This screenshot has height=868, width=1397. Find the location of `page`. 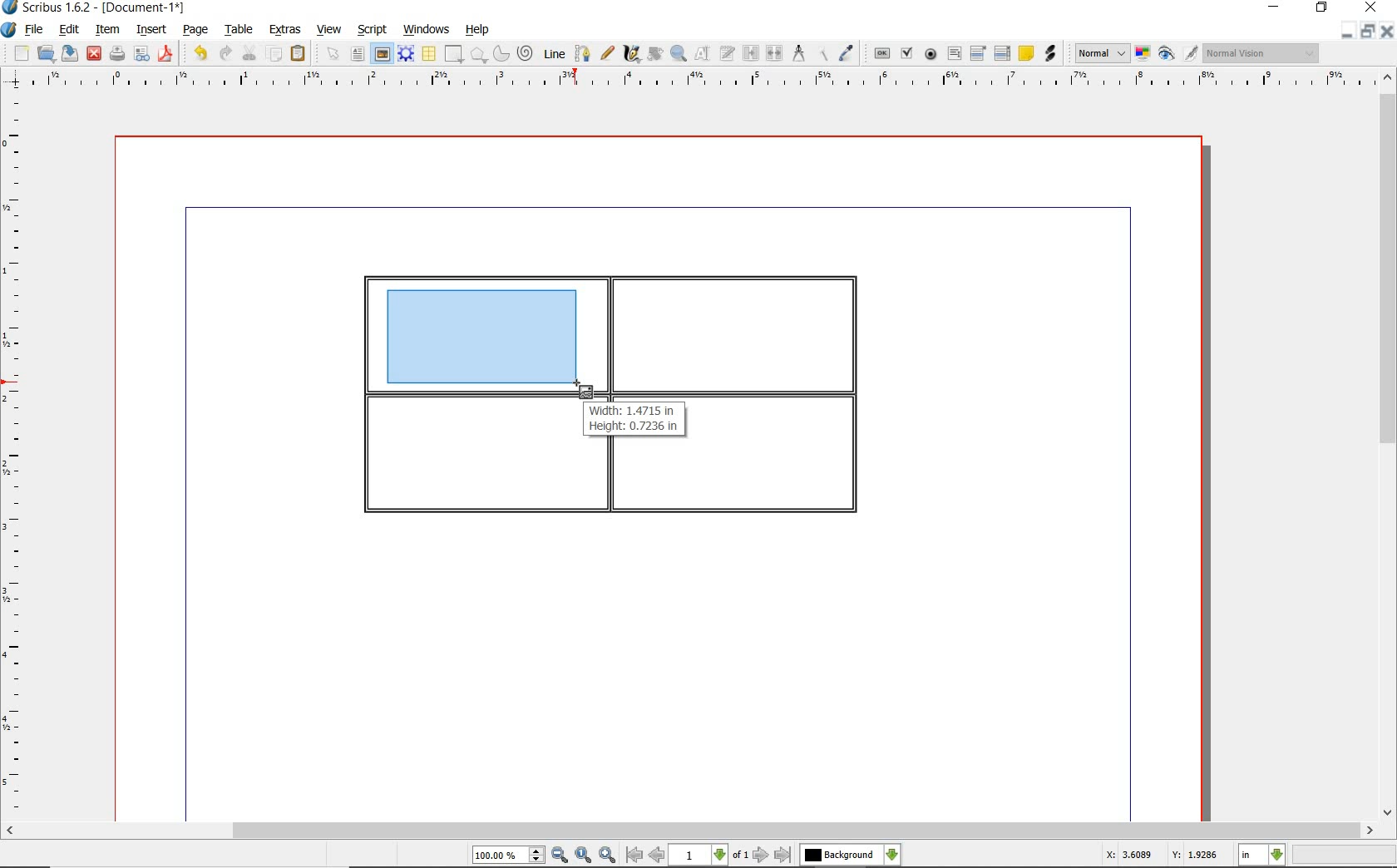

page is located at coordinates (195, 31).